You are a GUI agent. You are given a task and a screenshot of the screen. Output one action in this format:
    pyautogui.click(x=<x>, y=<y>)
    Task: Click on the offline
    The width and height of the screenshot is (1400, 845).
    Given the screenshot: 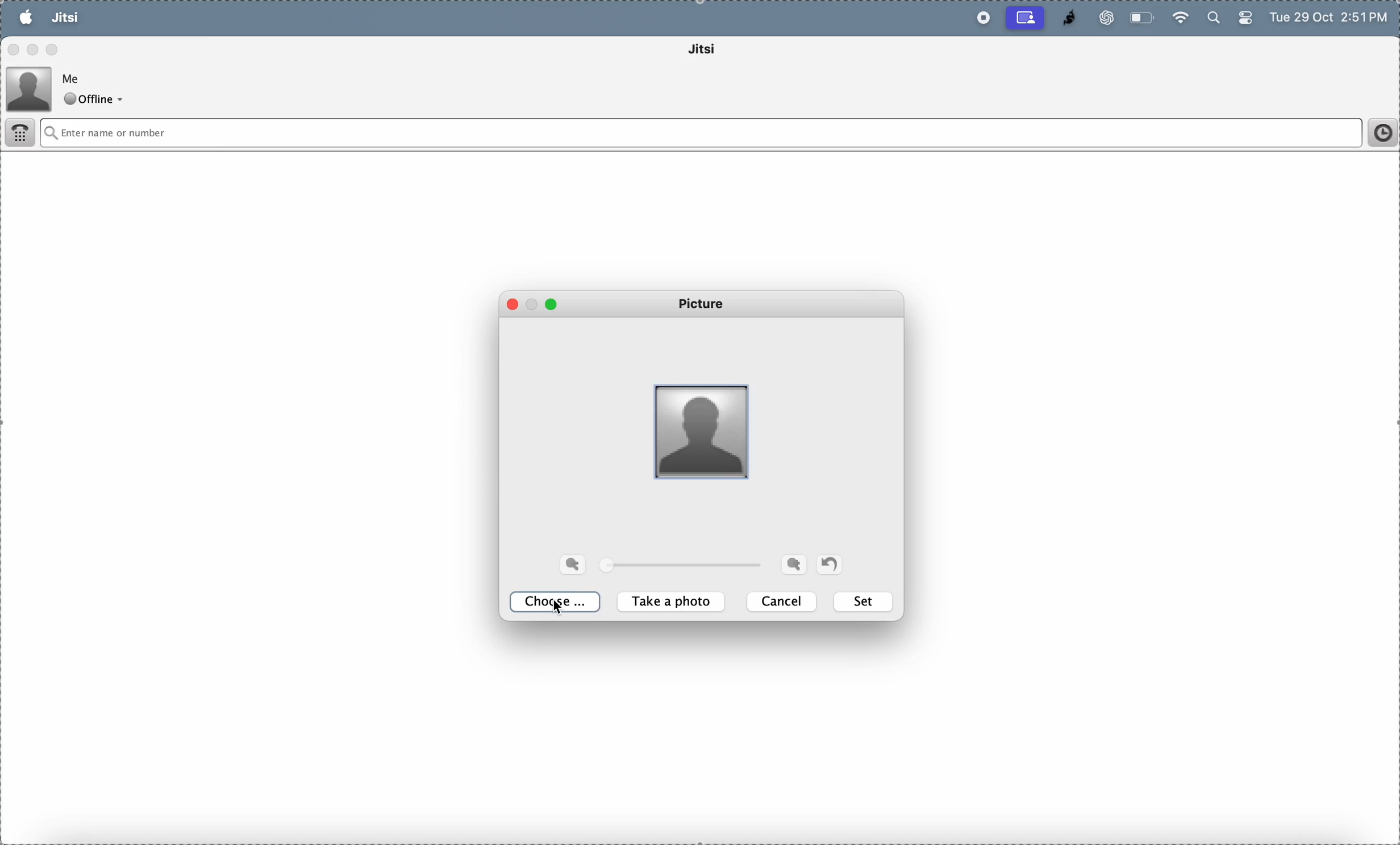 What is the action you would take?
    pyautogui.click(x=97, y=100)
    